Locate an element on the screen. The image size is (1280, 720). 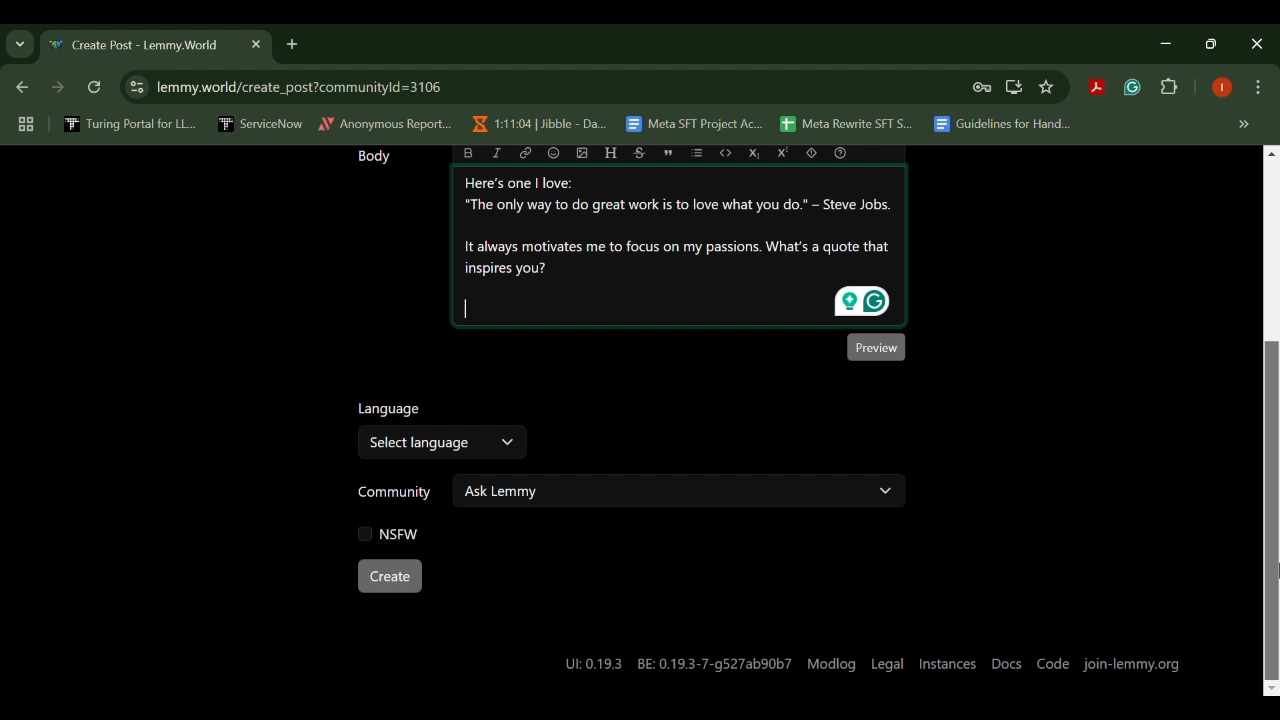
spoiler is located at coordinates (811, 153).